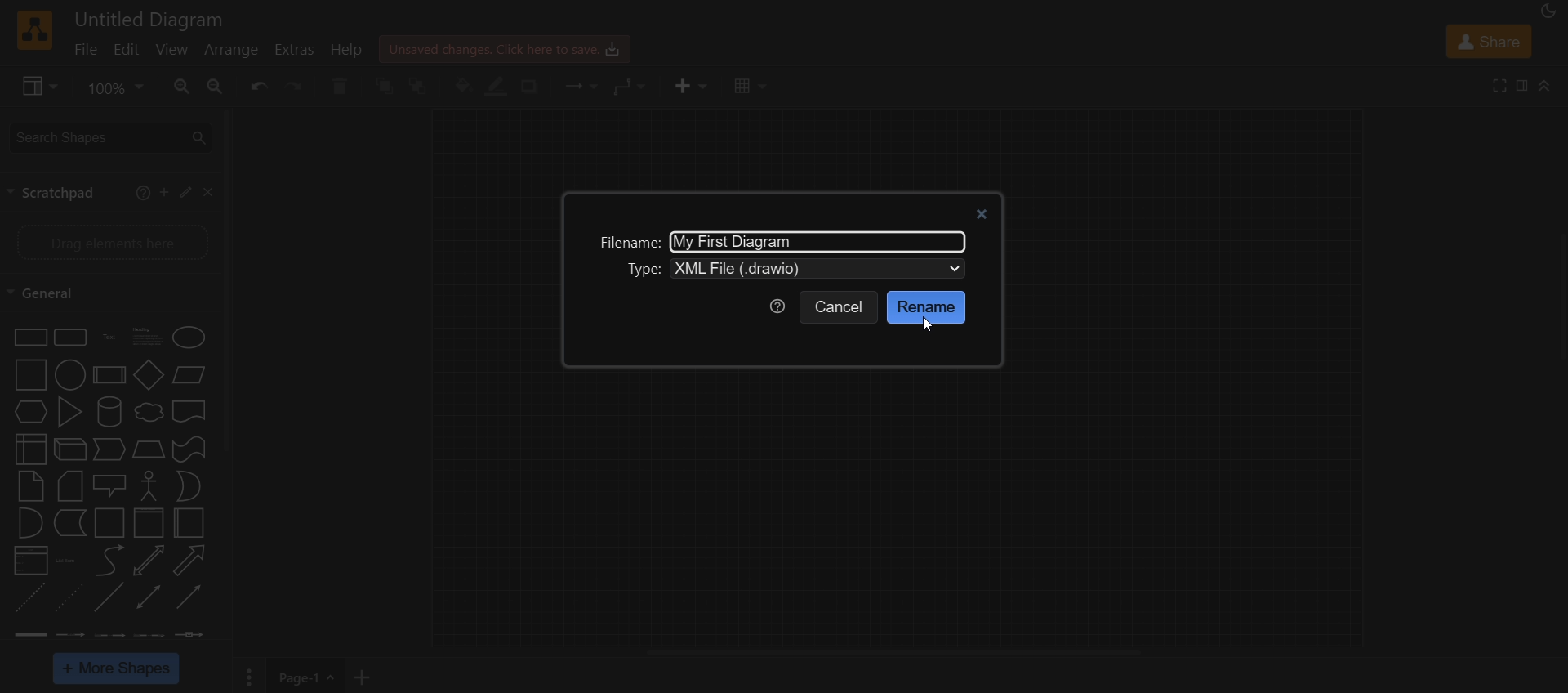  What do you see at coordinates (387, 84) in the screenshot?
I see `to front` at bounding box center [387, 84].